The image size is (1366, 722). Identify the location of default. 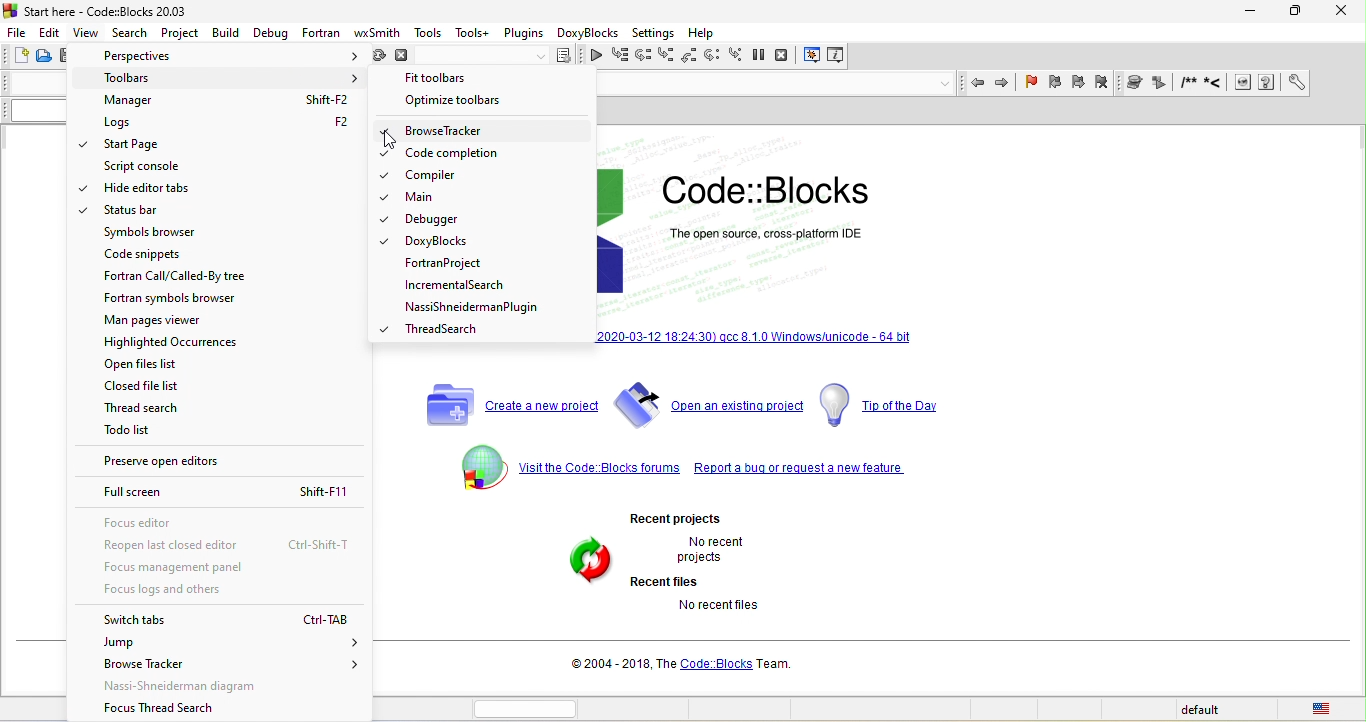
(1201, 711).